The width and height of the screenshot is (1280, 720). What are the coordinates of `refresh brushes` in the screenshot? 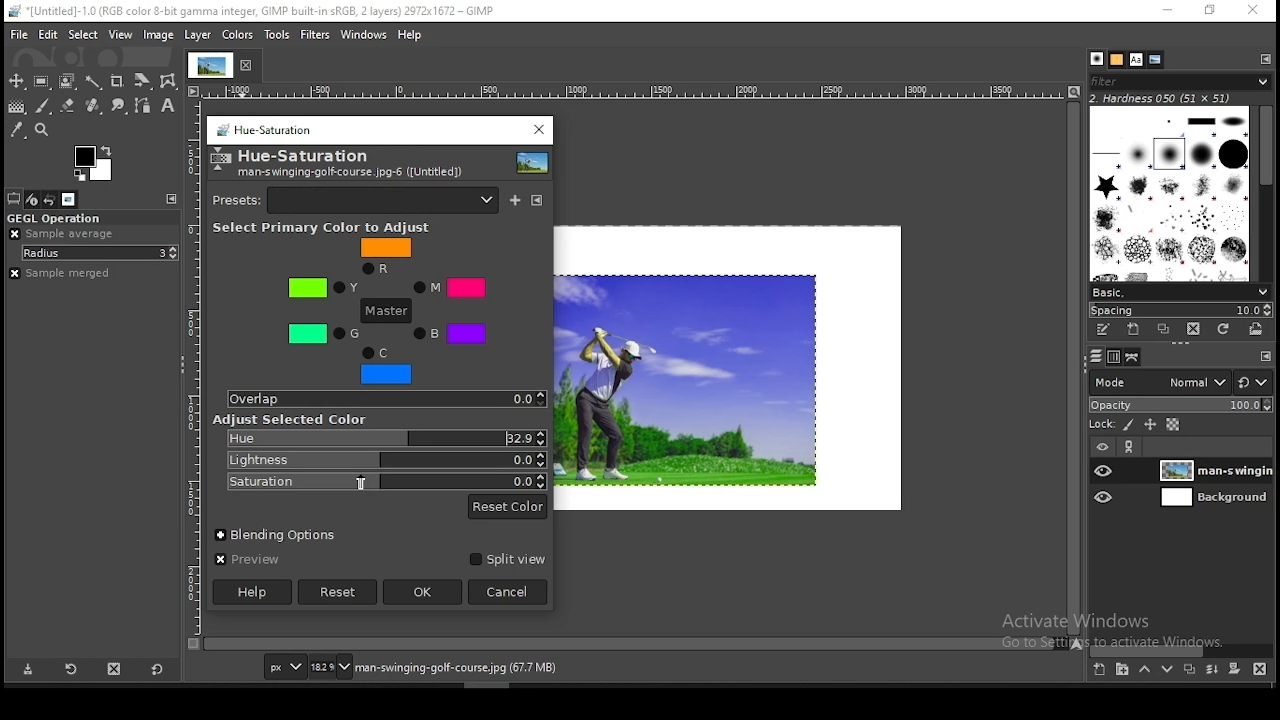 It's located at (1224, 329).